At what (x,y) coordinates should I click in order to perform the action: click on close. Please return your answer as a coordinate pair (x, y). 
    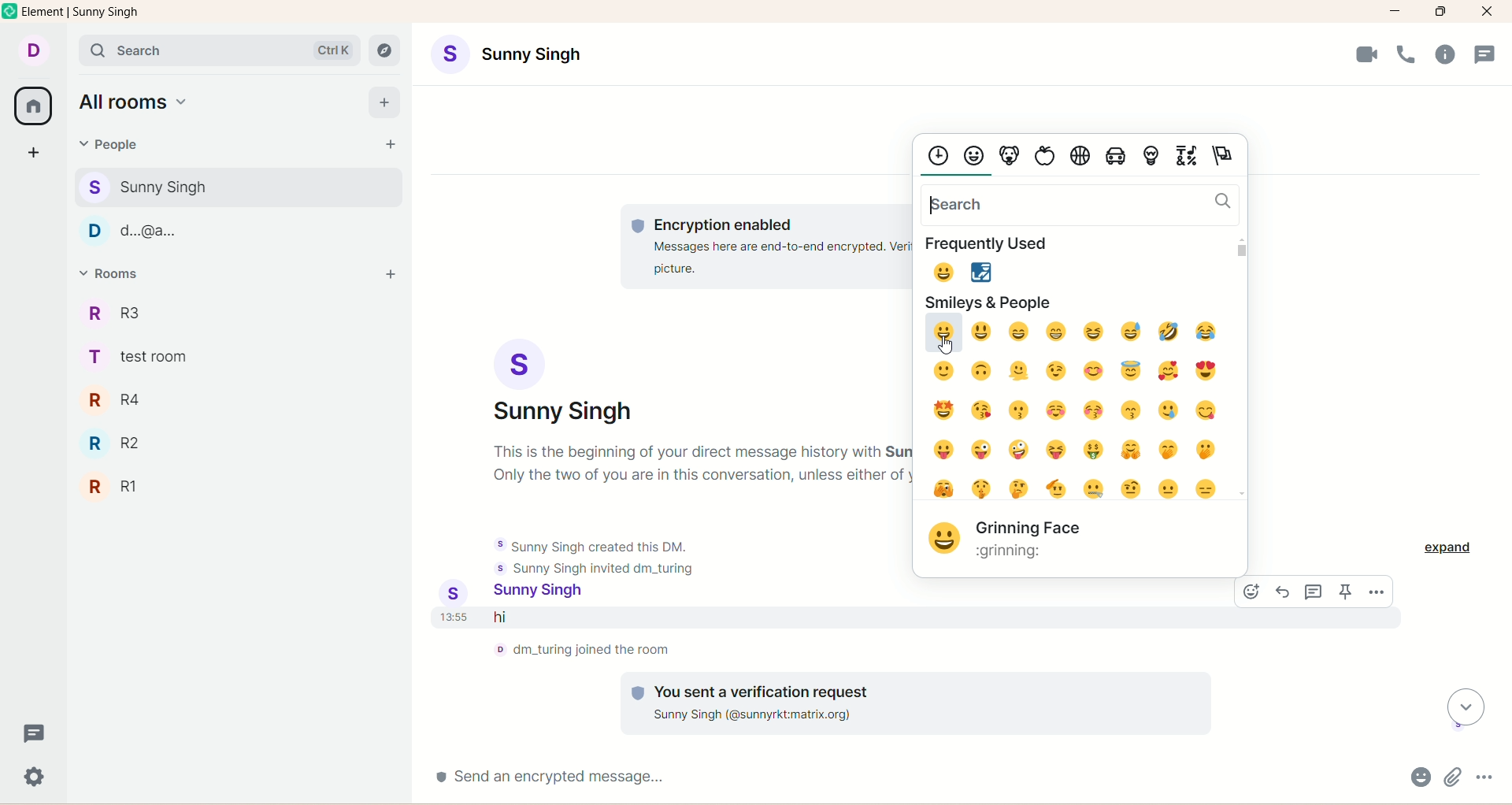
    Looking at the image, I should click on (1488, 12).